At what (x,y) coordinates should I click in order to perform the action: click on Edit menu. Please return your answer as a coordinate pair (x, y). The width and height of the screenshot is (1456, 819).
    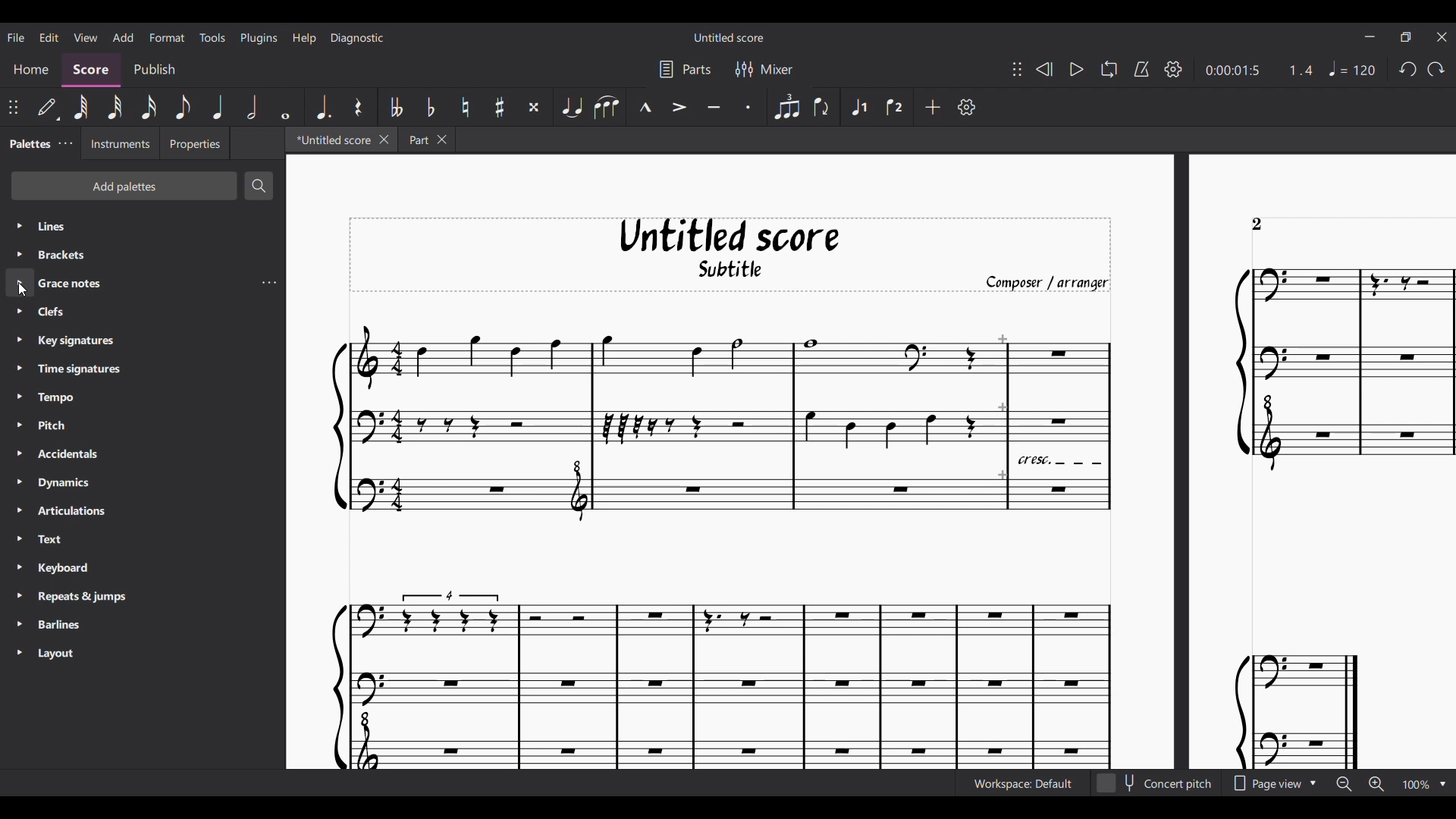
    Looking at the image, I should click on (49, 36).